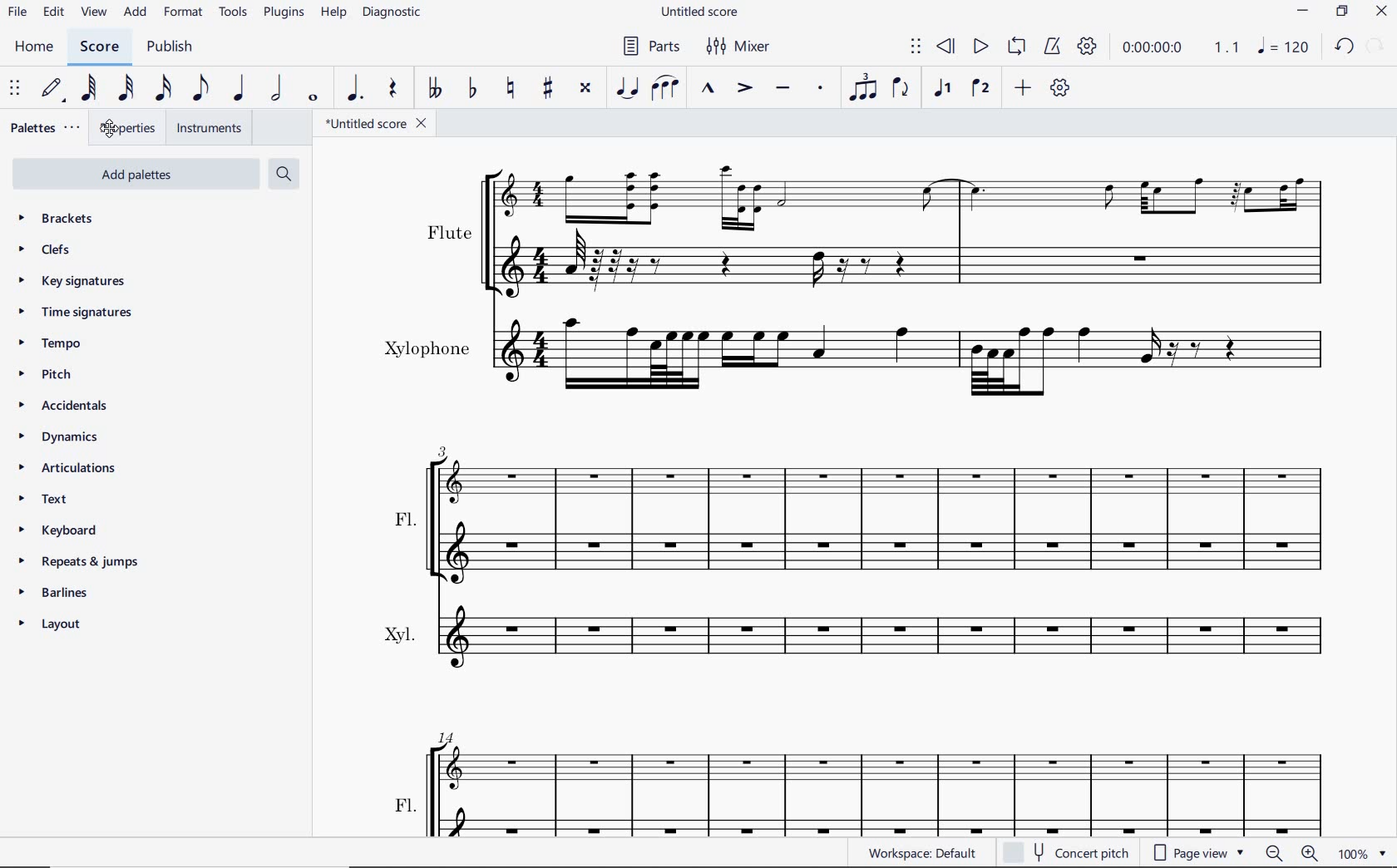  Describe the element at coordinates (820, 88) in the screenshot. I see `STACCATO` at that location.